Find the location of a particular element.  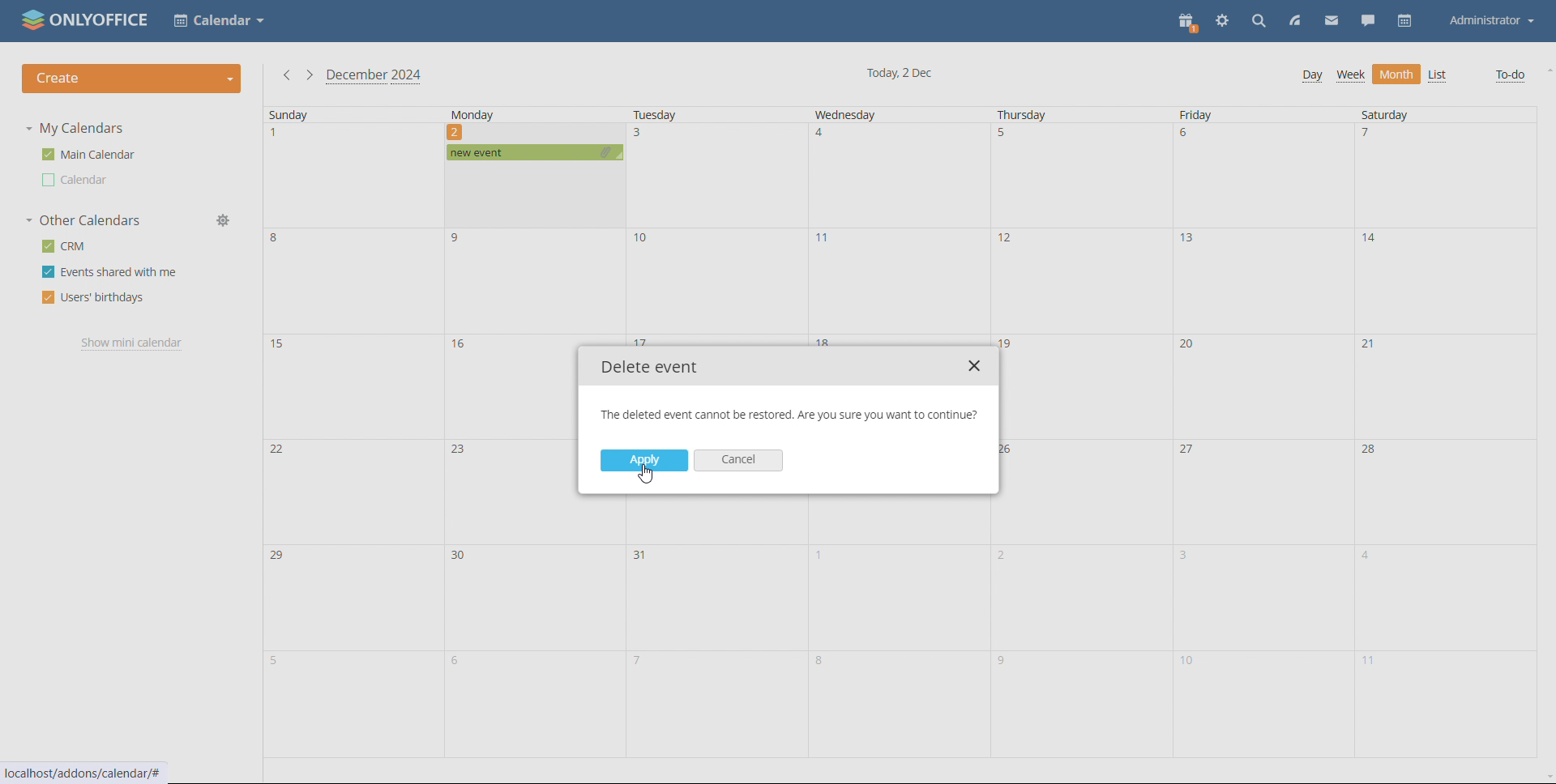

cursor is located at coordinates (648, 476).